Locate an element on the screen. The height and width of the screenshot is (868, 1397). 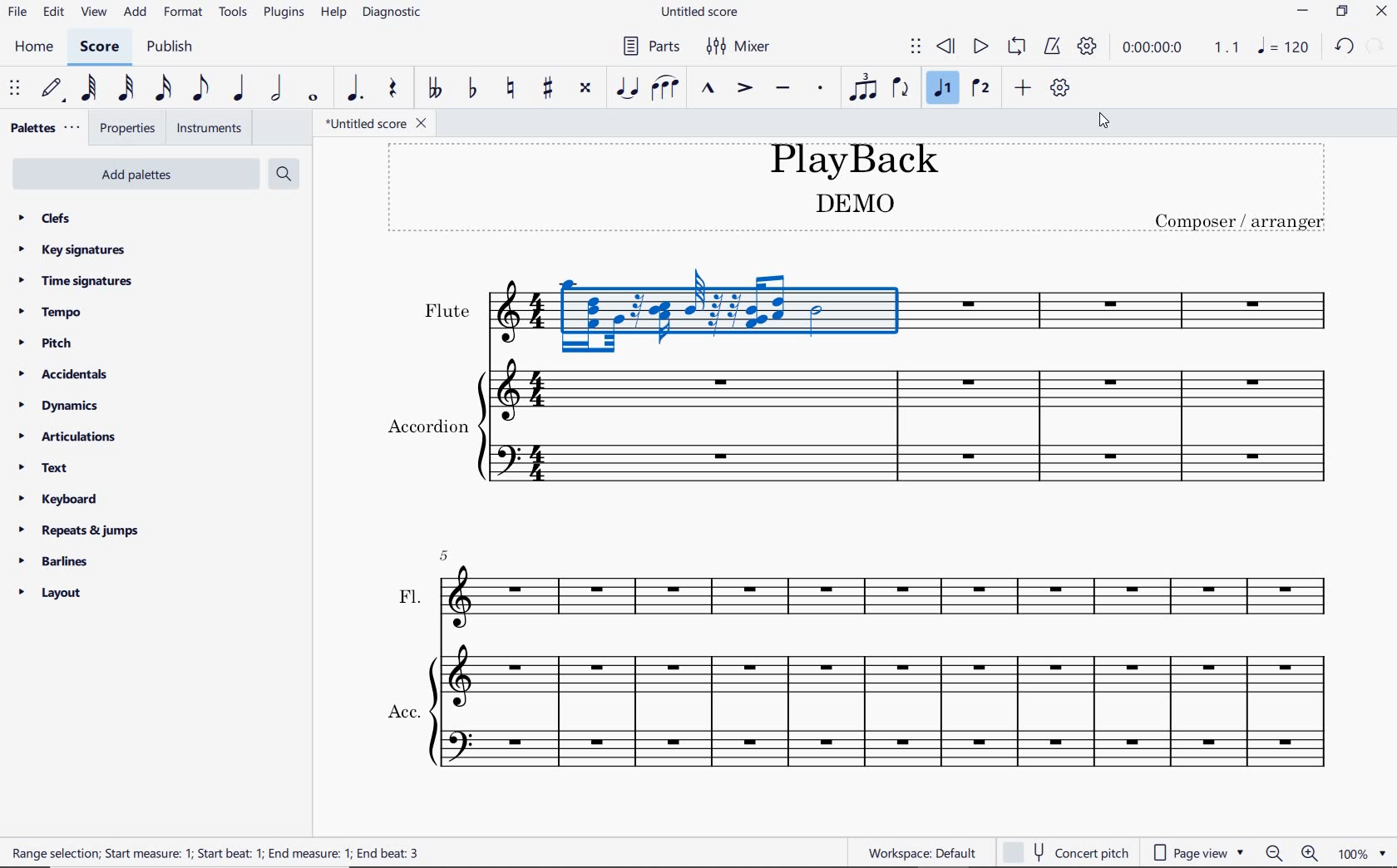
tenuto is located at coordinates (782, 89).